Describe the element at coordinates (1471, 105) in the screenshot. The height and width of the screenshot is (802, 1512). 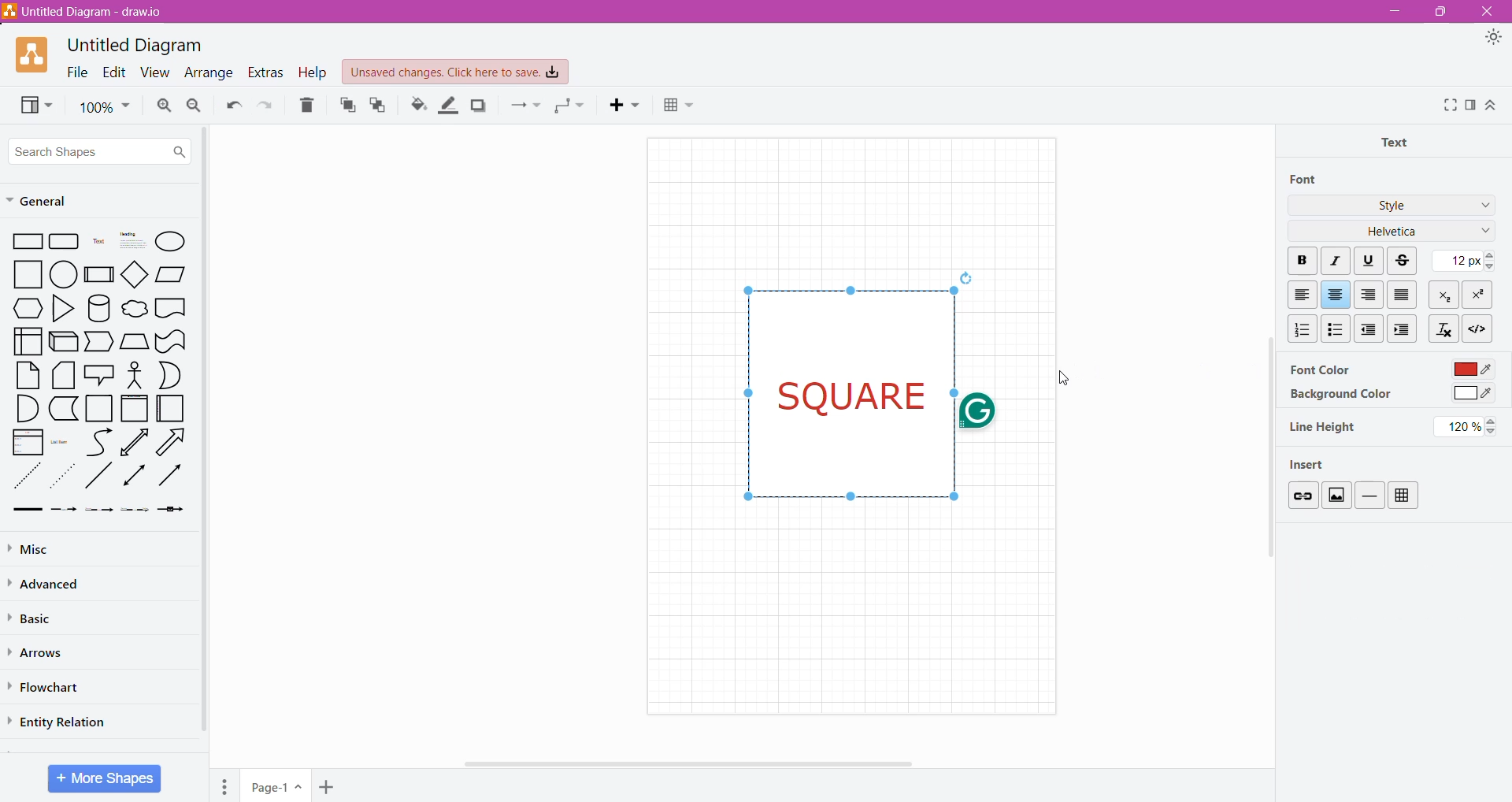
I see `Format` at that location.